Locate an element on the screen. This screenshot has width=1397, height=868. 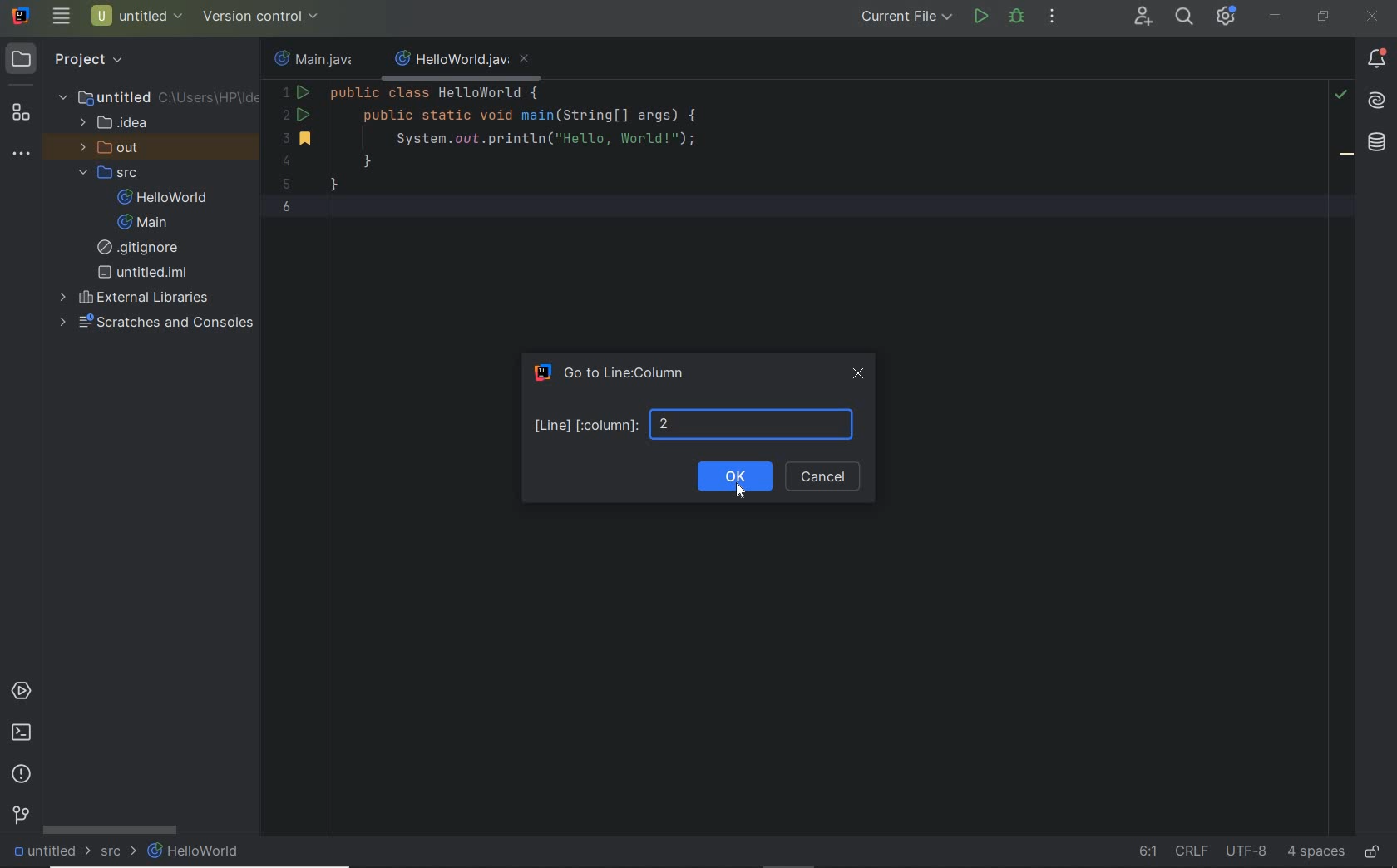
project name is located at coordinates (138, 16).